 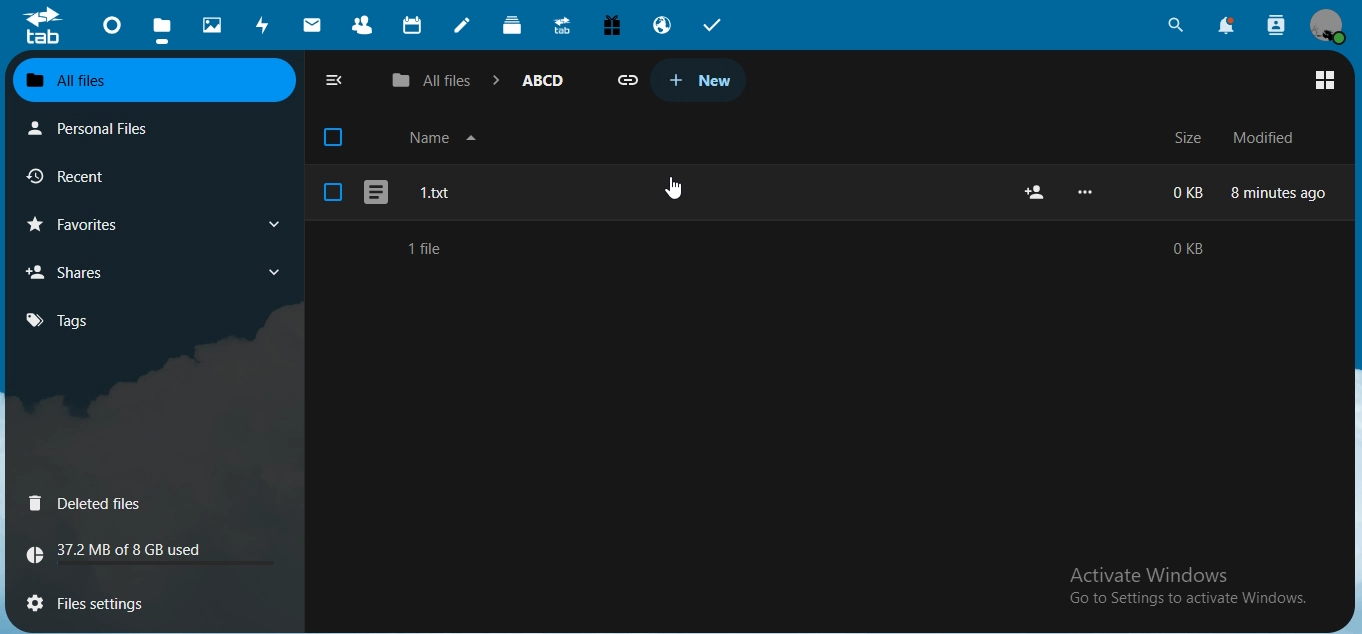 What do you see at coordinates (543, 79) in the screenshot?
I see `AABCD` at bounding box center [543, 79].